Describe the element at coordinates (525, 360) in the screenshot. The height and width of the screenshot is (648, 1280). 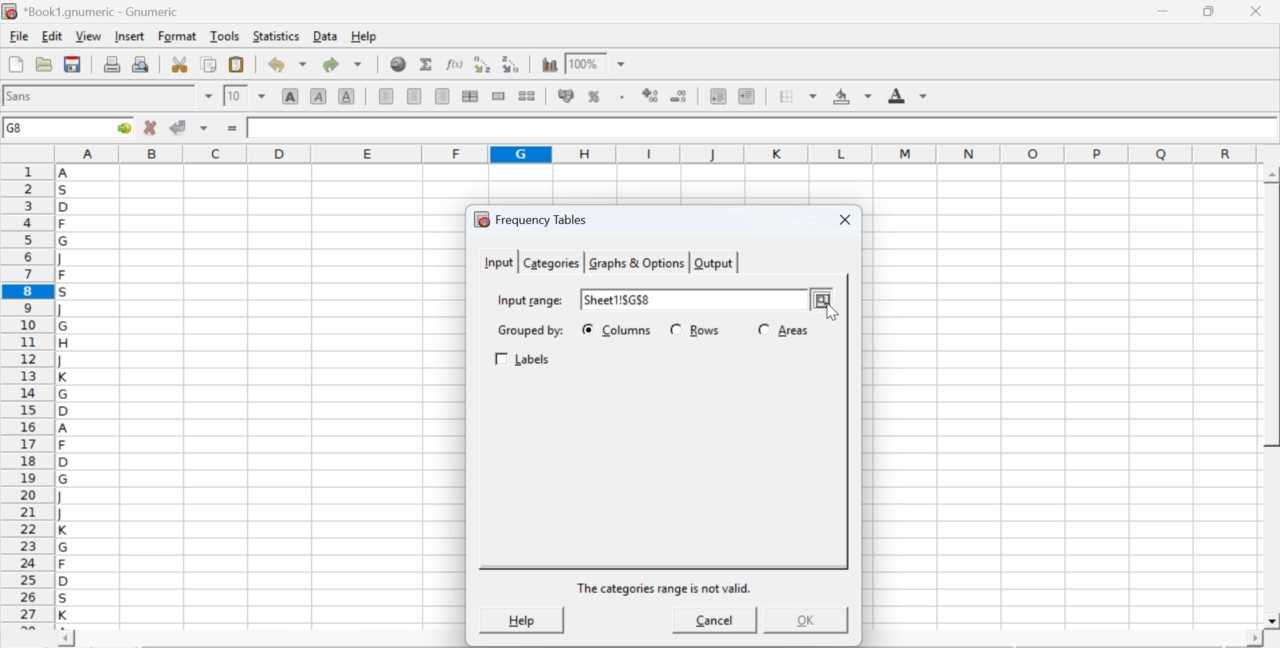
I see `labels` at that location.